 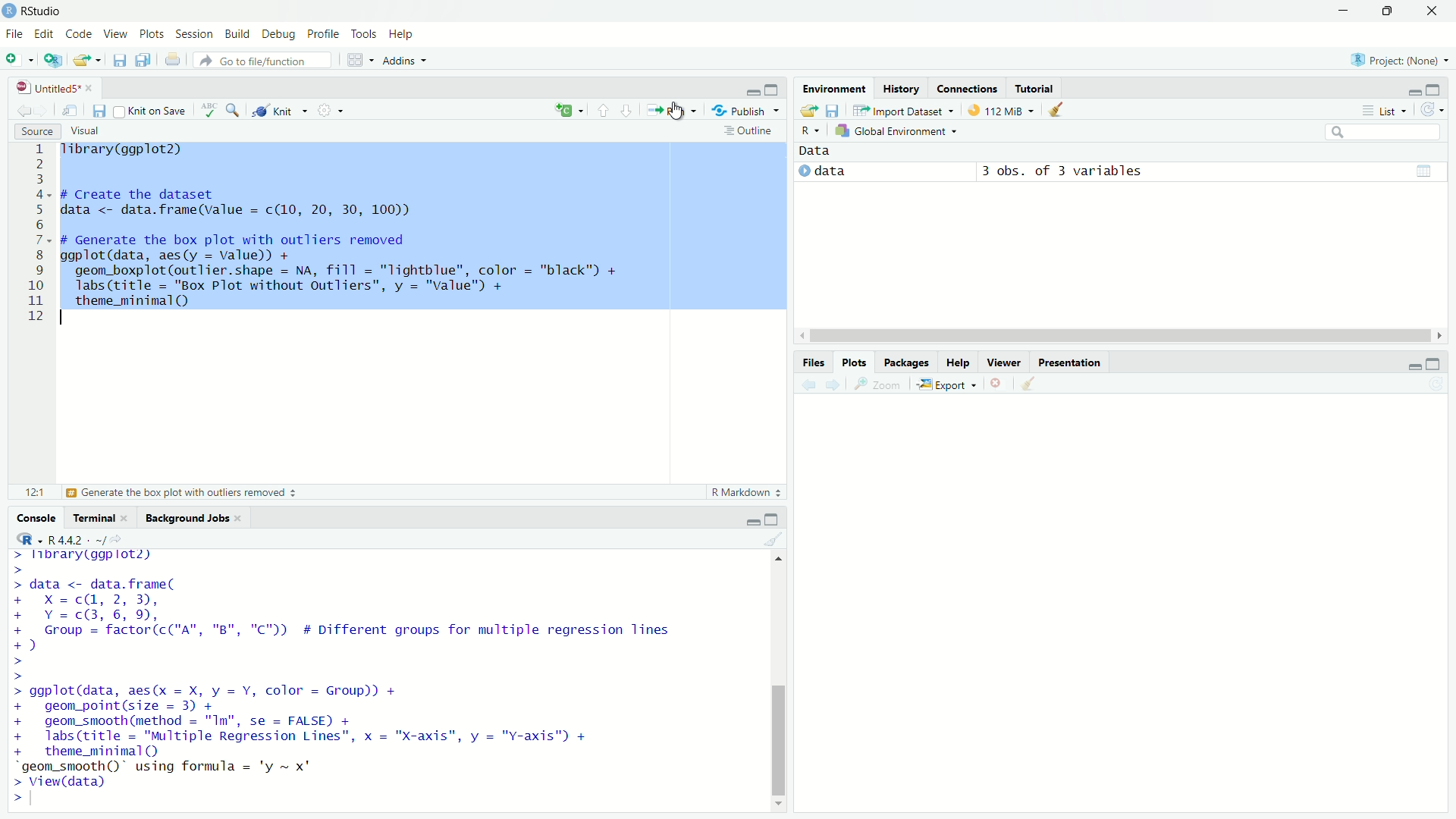 What do you see at coordinates (901, 109) in the screenshot?
I see `import Dataset` at bounding box center [901, 109].